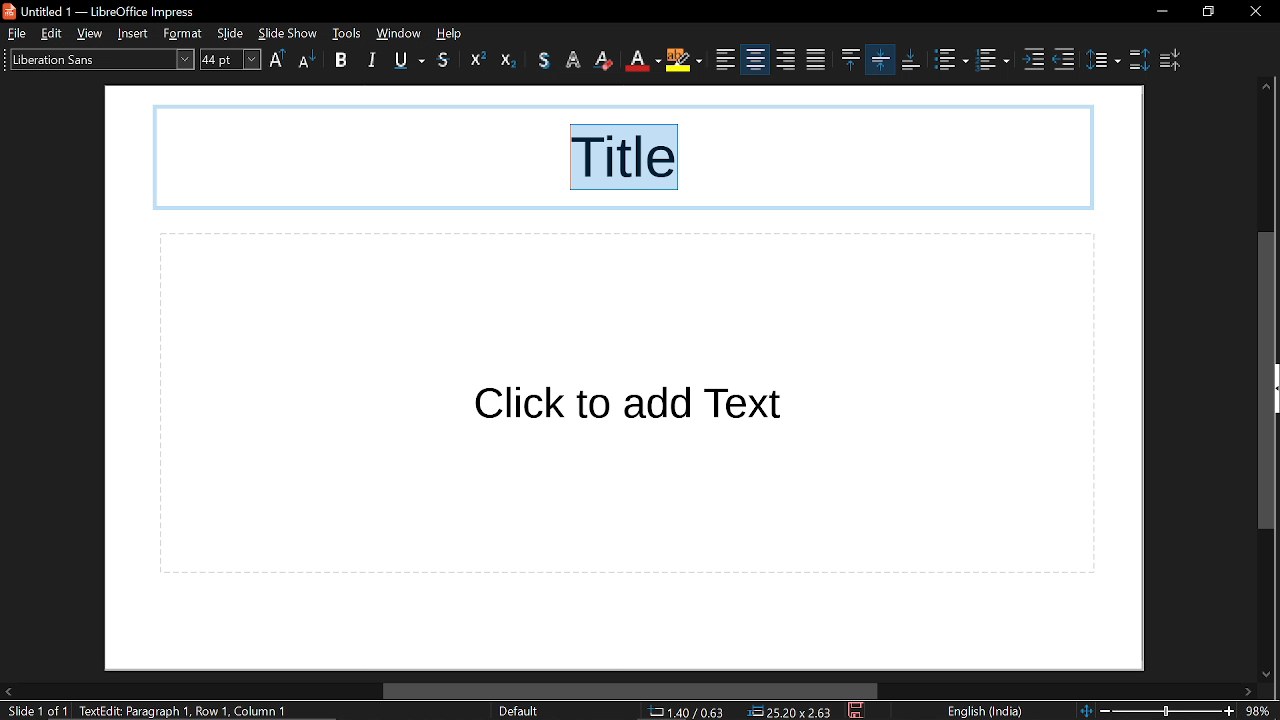 Image resolution: width=1280 pixels, height=720 pixels. I want to click on justified, so click(786, 60).